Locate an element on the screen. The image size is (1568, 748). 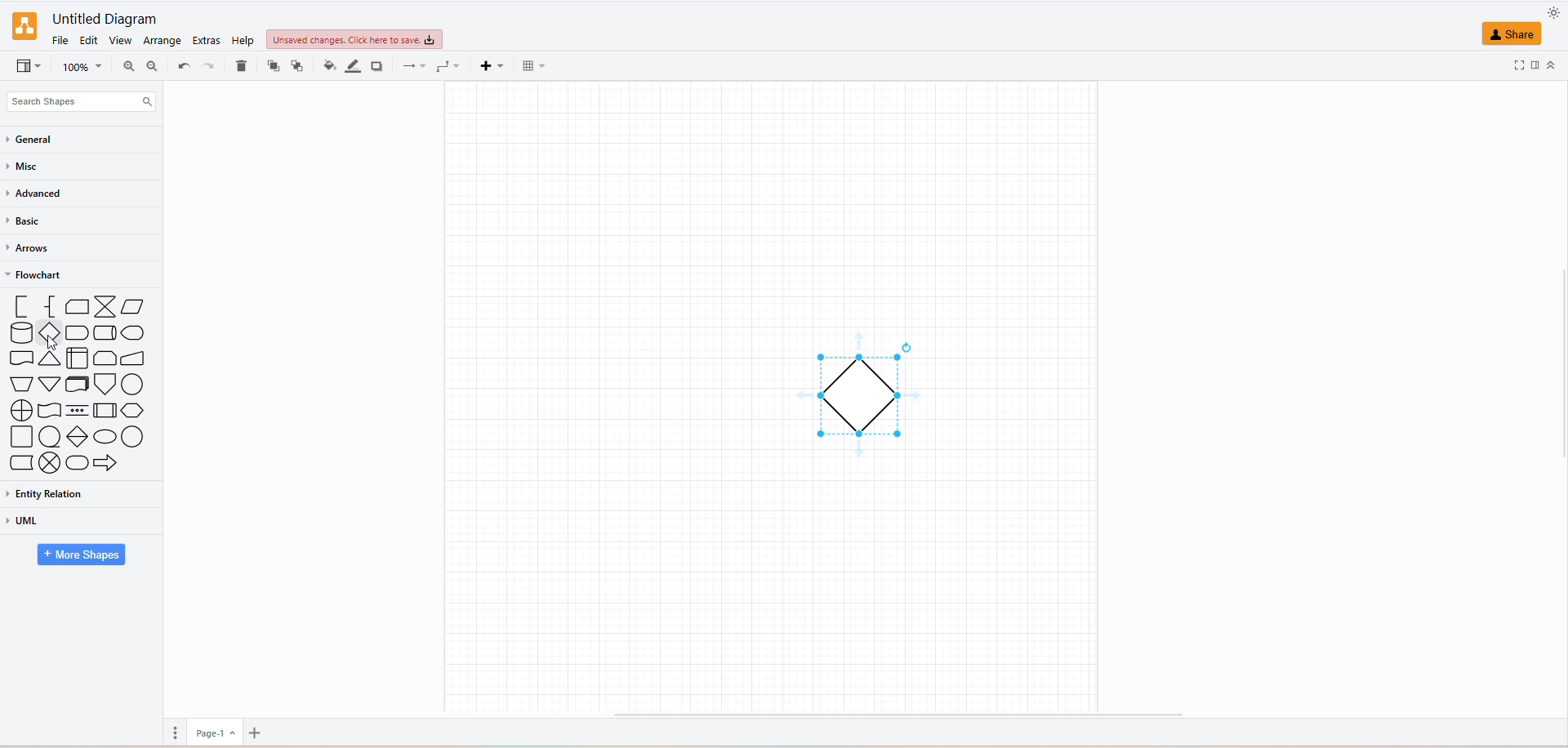
LOGO is located at coordinates (24, 23).